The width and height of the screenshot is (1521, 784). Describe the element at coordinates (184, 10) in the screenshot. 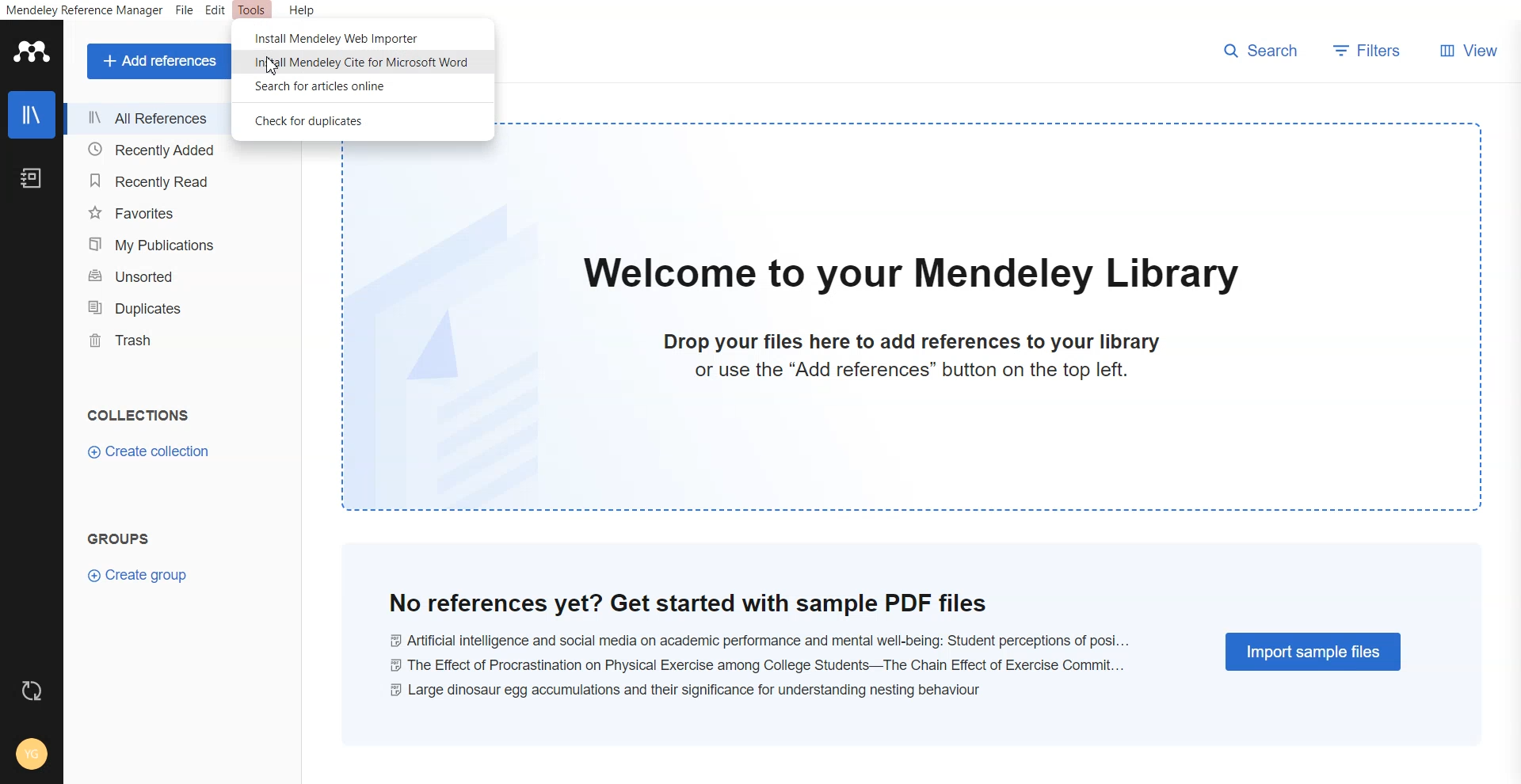

I see `File` at that location.